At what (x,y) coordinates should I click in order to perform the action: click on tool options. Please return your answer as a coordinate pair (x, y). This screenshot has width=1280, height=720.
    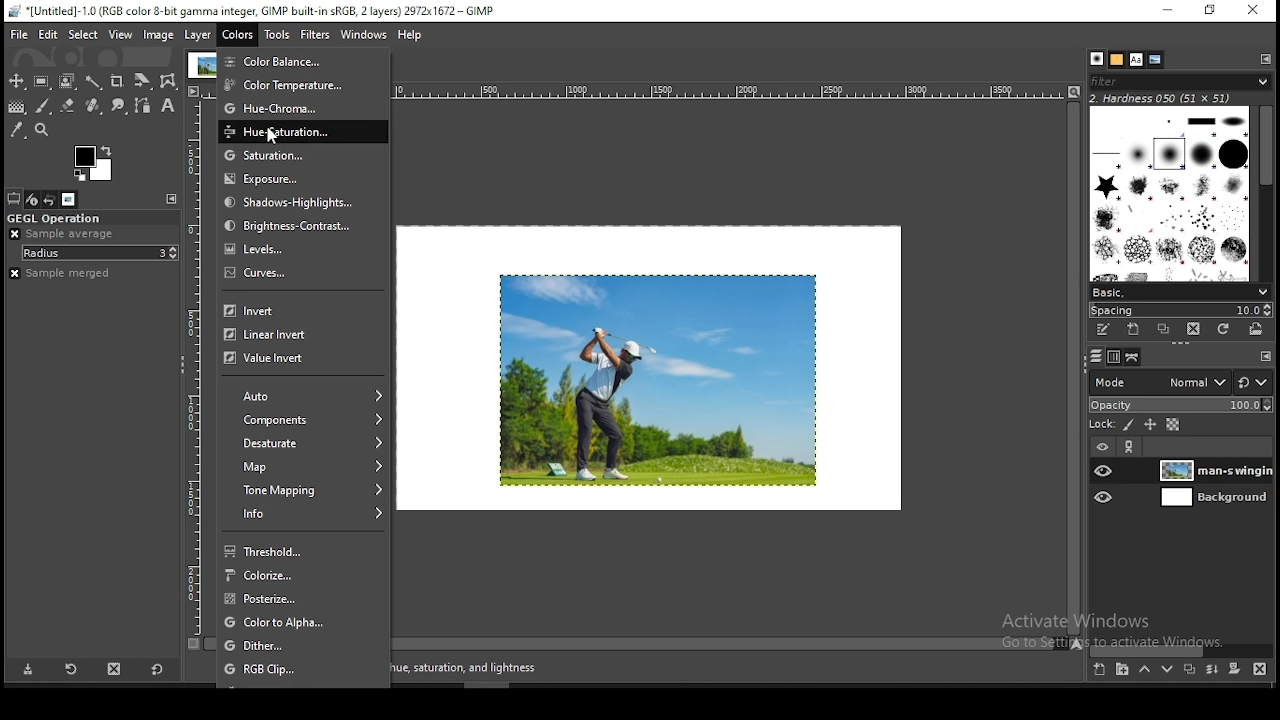
    Looking at the image, I should click on (15, 198).